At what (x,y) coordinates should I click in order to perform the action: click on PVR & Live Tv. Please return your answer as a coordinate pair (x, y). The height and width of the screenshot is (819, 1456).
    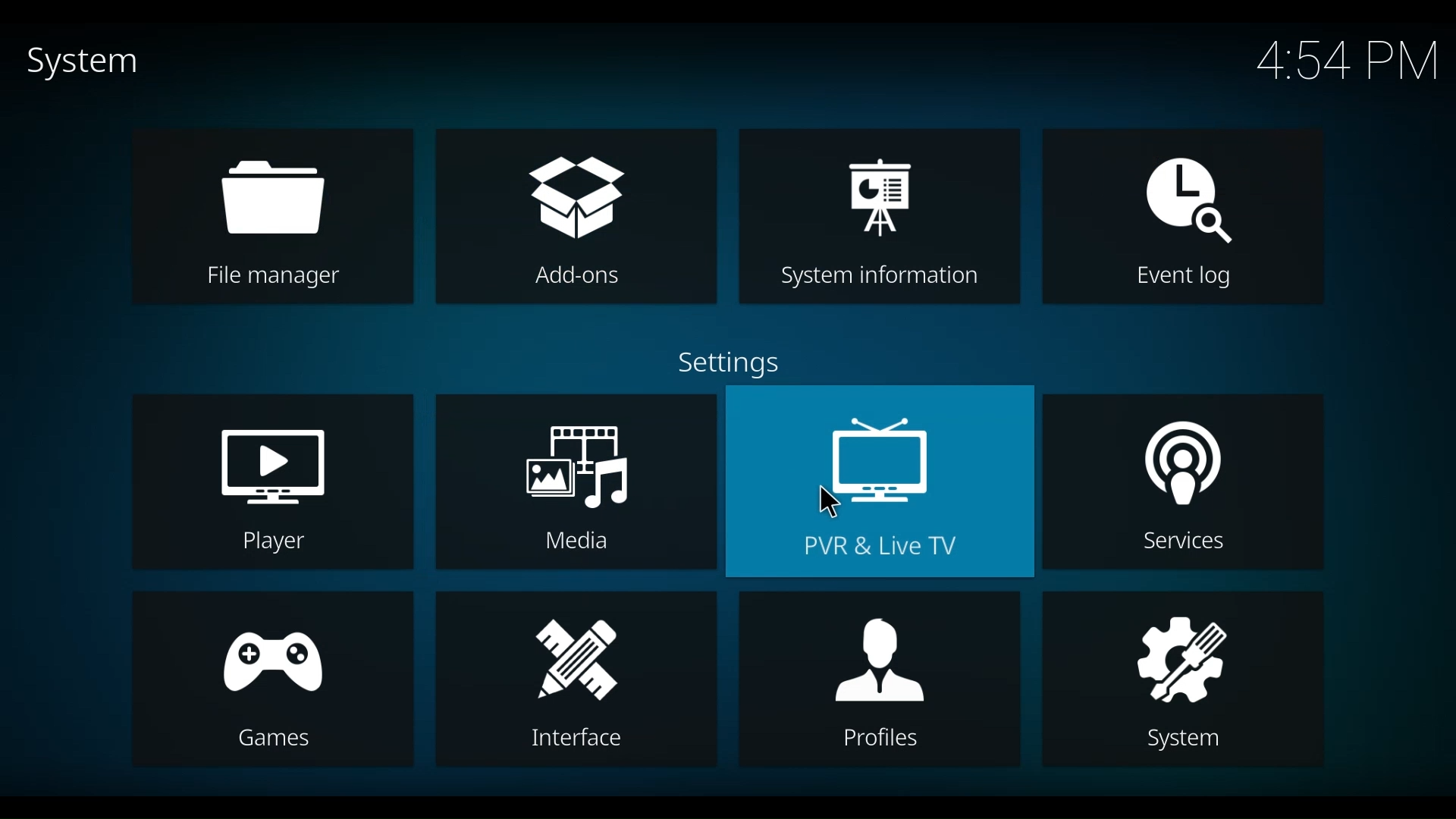
    Looking at the image, I should click on (879, 480).